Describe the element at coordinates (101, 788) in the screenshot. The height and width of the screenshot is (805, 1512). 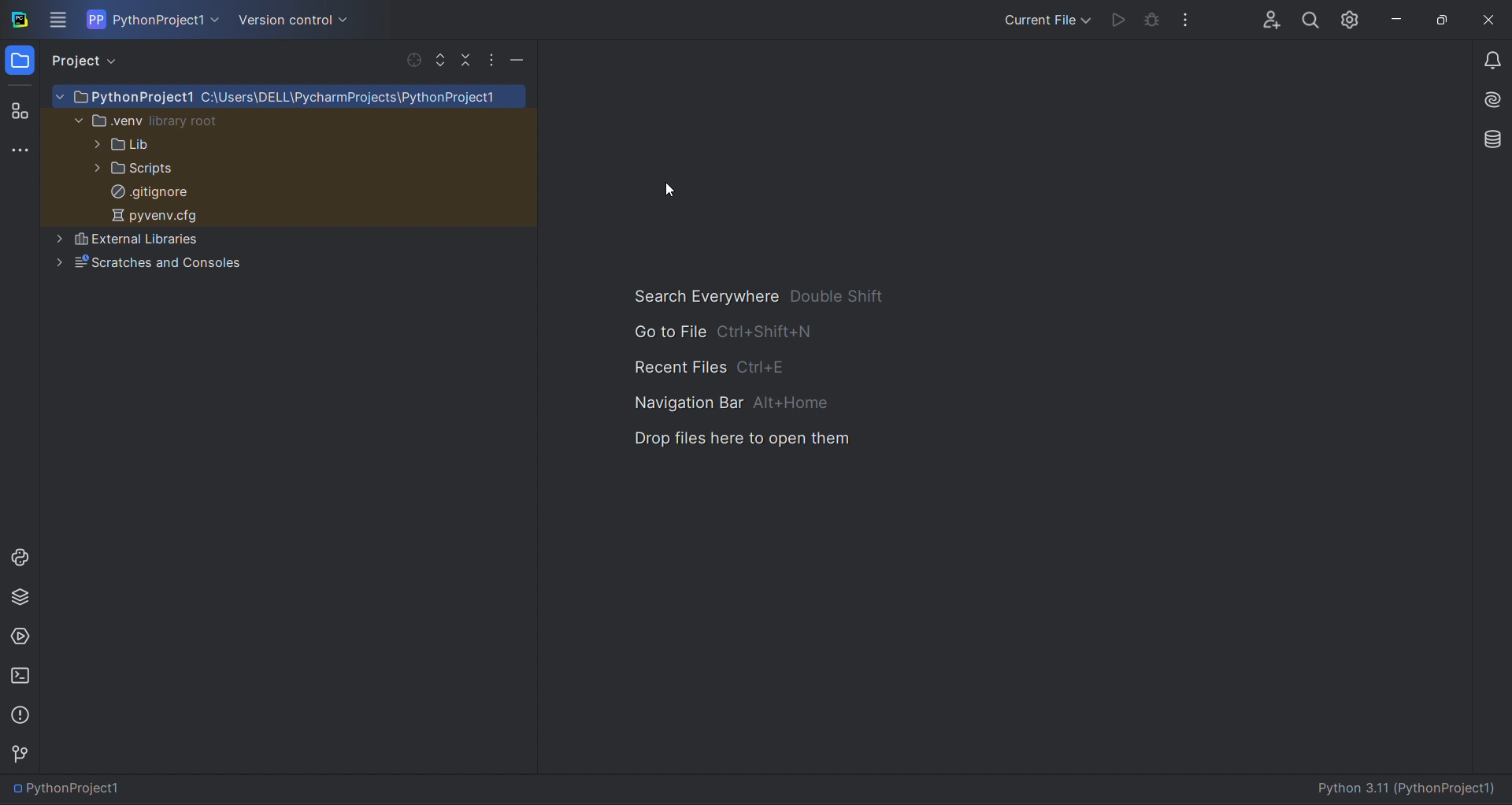
I see `PythonProject1` at that location.